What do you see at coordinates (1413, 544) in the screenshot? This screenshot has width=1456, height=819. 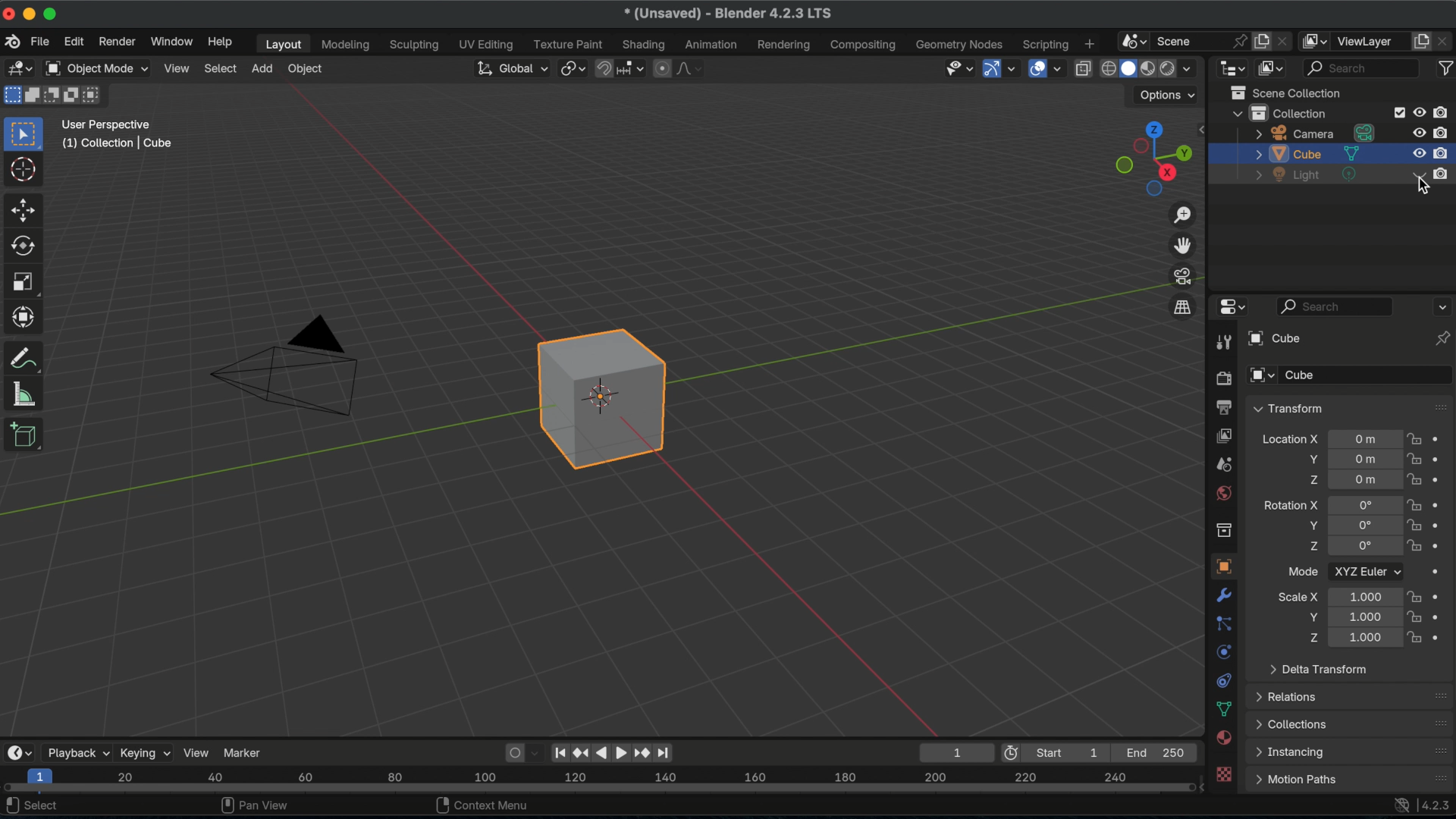 I see `lock rotation` at bounding box center [1413, 544].